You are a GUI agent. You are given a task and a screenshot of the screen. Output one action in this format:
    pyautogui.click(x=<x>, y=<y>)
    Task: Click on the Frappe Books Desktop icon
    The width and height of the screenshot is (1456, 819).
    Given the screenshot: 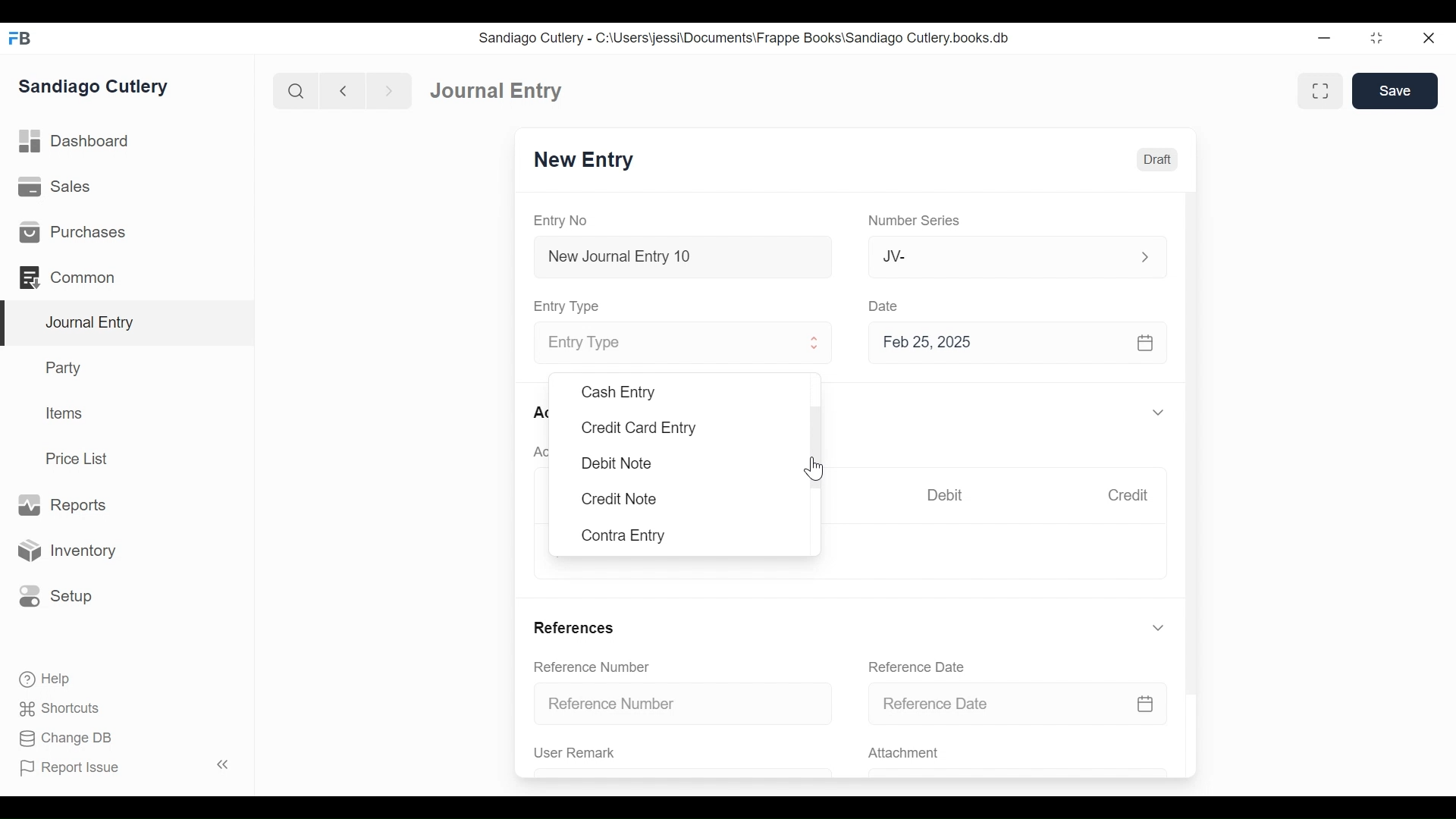 What is the action you would take?
    pyautogui.click(x=19, y=38)
    